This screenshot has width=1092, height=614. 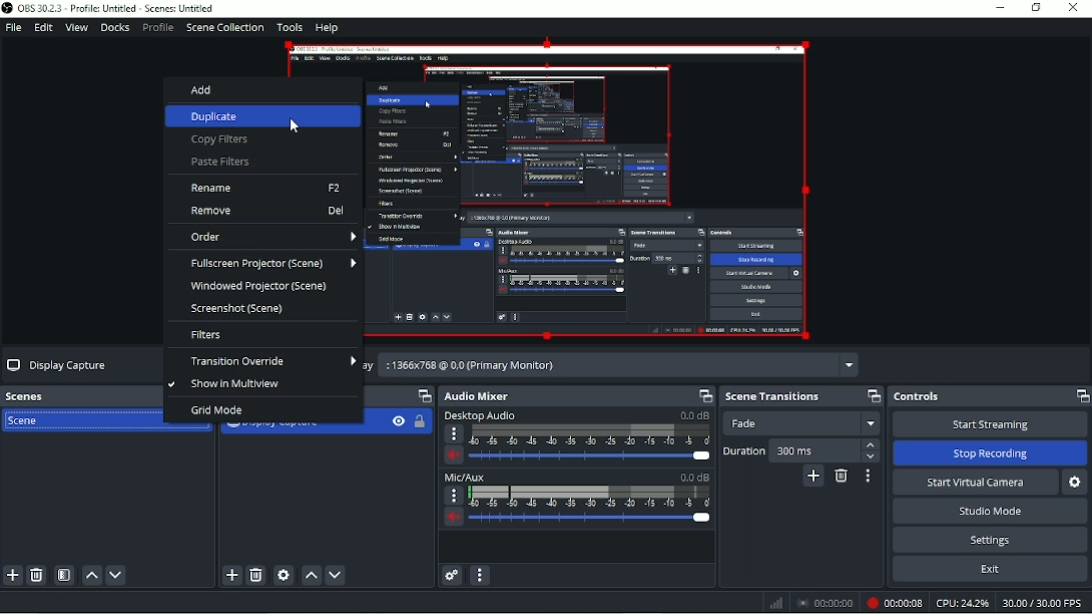 I want to click on Configure virtual camera, so click(x=1076, y=483).